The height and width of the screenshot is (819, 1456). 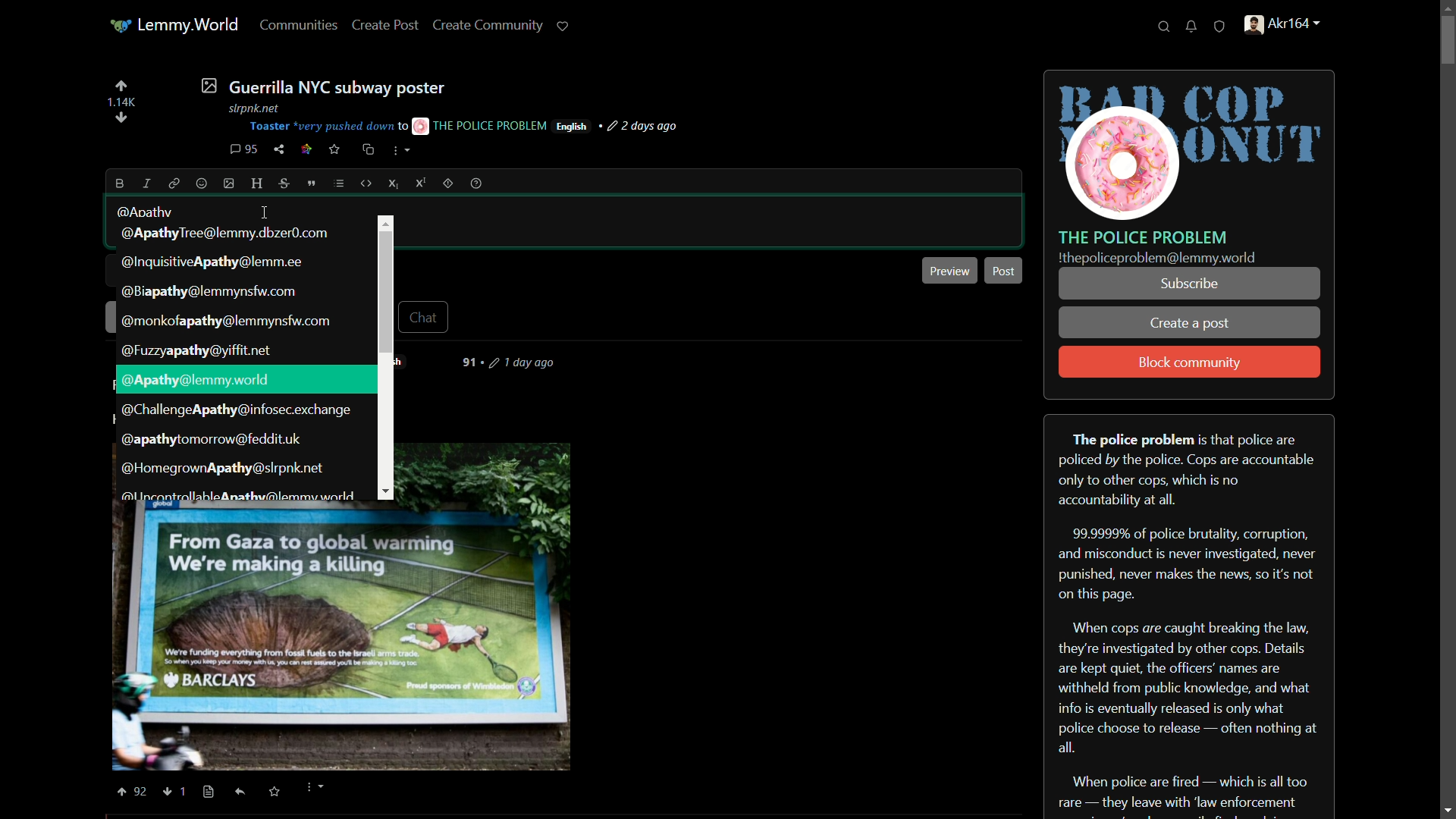 I want to click on emoji, so click(x=202, y=184).